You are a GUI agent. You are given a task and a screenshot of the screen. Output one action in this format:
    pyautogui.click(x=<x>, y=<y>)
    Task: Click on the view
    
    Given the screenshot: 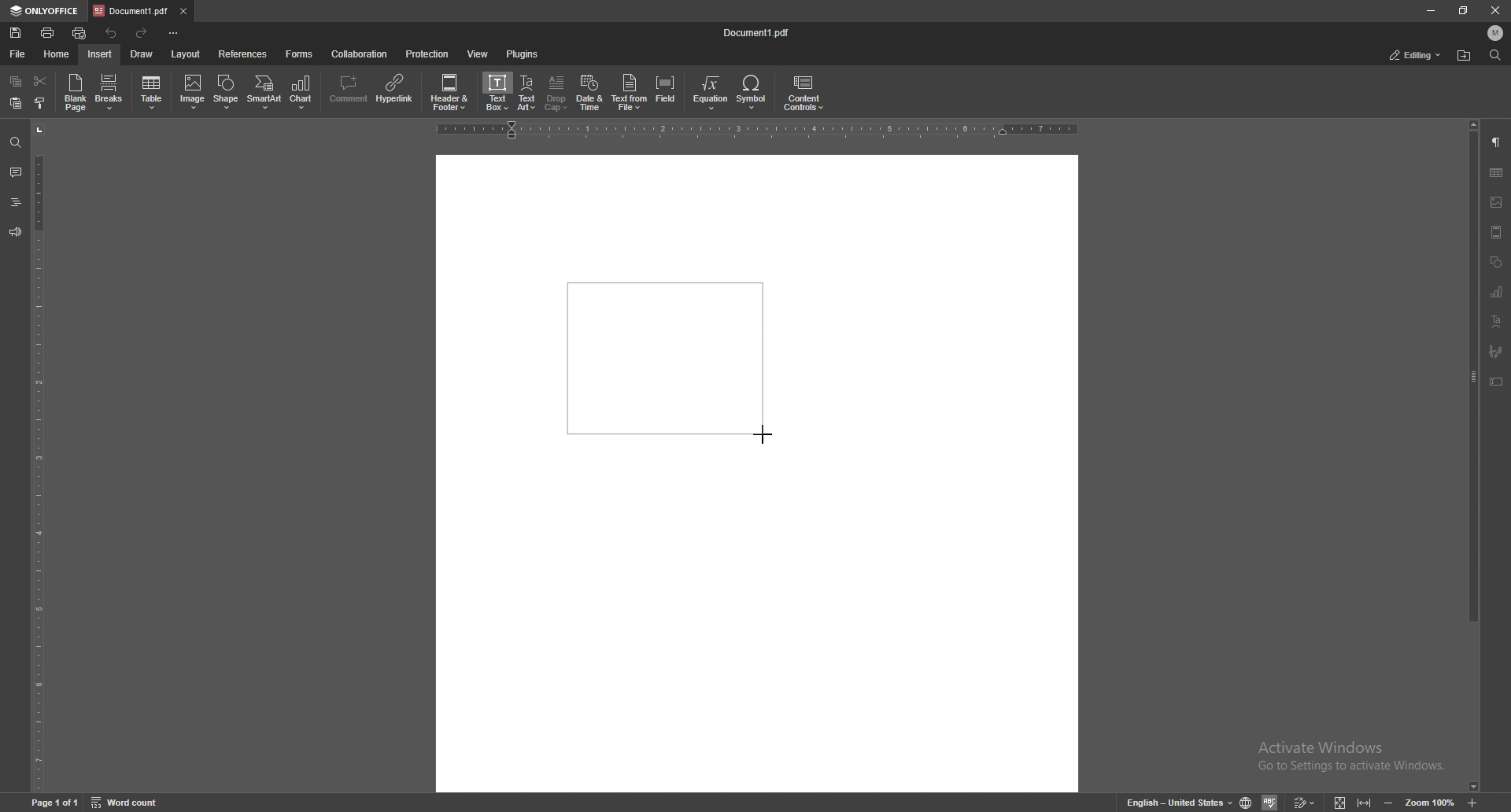 What is the action you would take?
    pyautogui.click(x=478, y=54)
    